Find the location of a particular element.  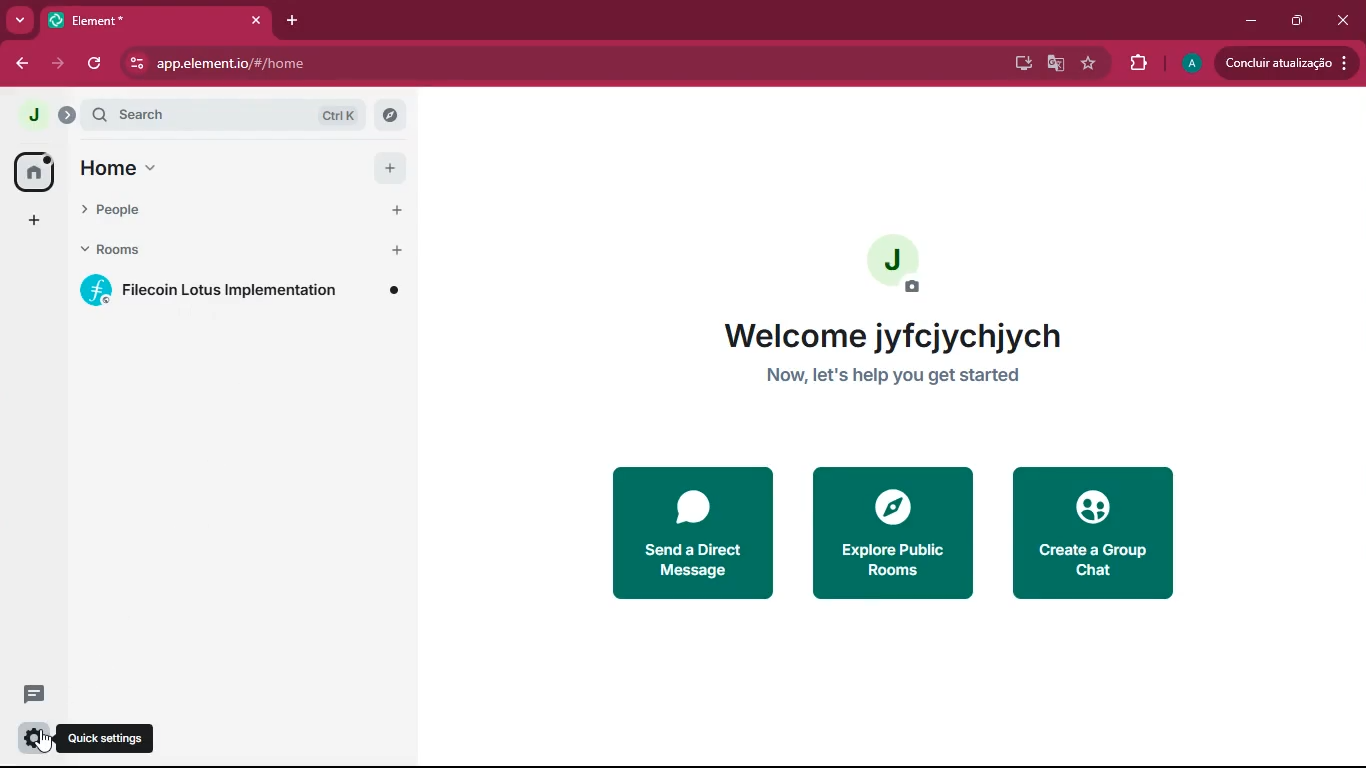

Add is located at coordinates (398, 251).